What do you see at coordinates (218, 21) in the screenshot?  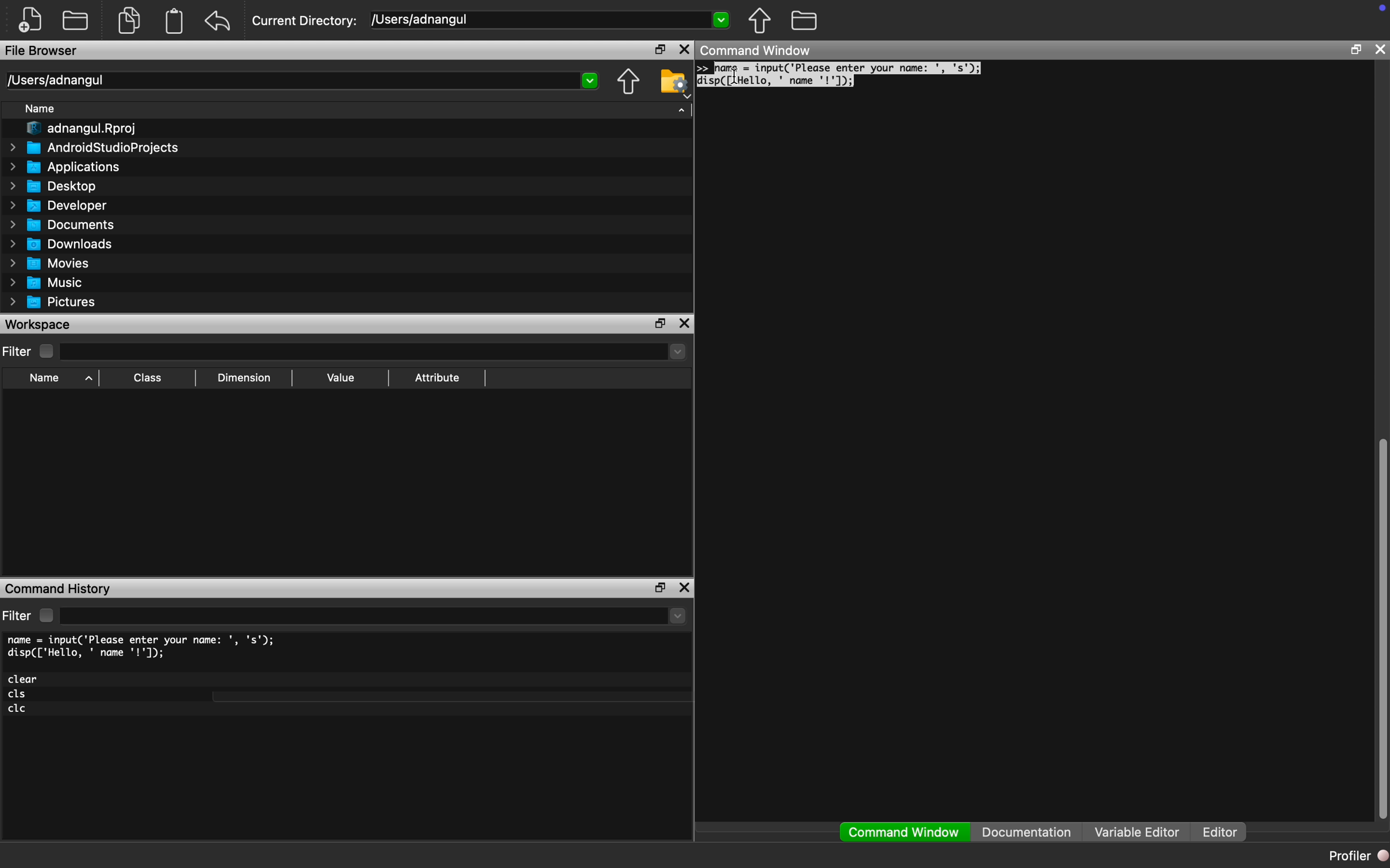 I see `back` at bounding box center [218, 21].